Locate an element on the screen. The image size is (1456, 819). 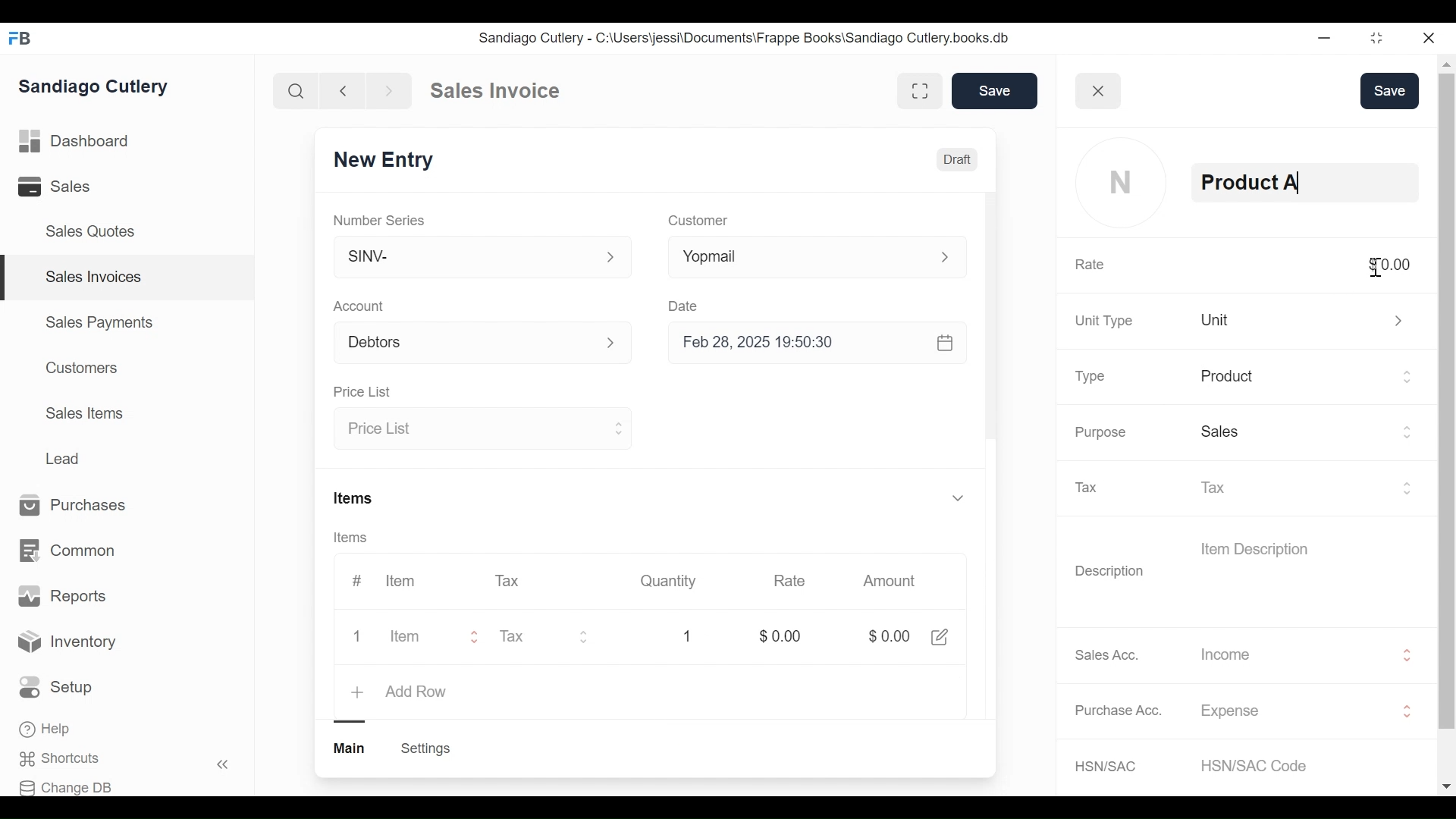
FB logo is located at coordinates (20, 38).